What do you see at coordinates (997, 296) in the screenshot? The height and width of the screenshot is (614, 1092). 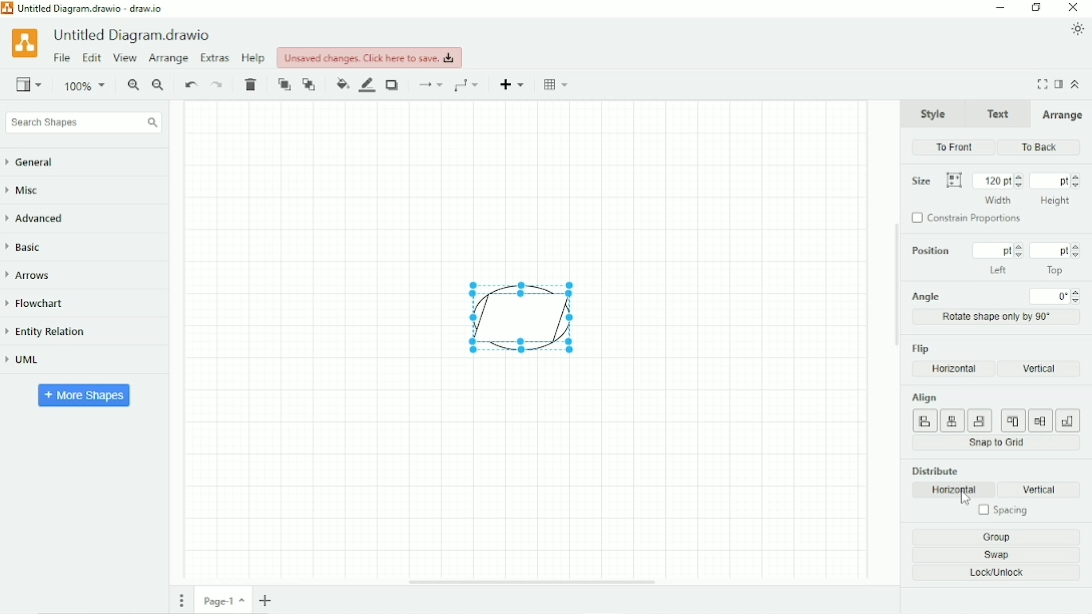 I see `Angle` at bounding box center [997, 296].